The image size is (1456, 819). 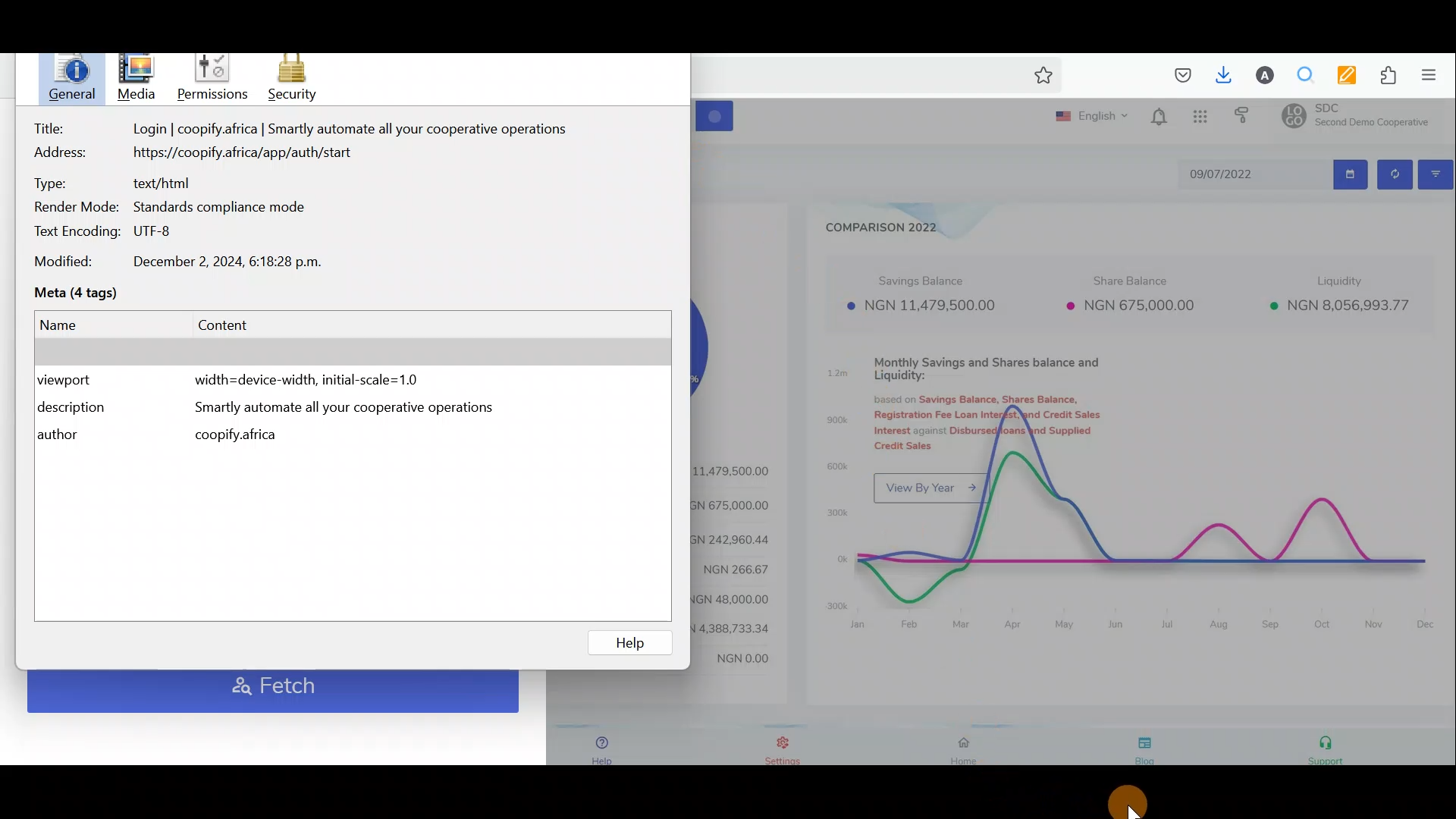 What do you see at coordinates (1177, 76) in the screenshot?
I see `Save to pocket` at bounding box center [1177, 76].